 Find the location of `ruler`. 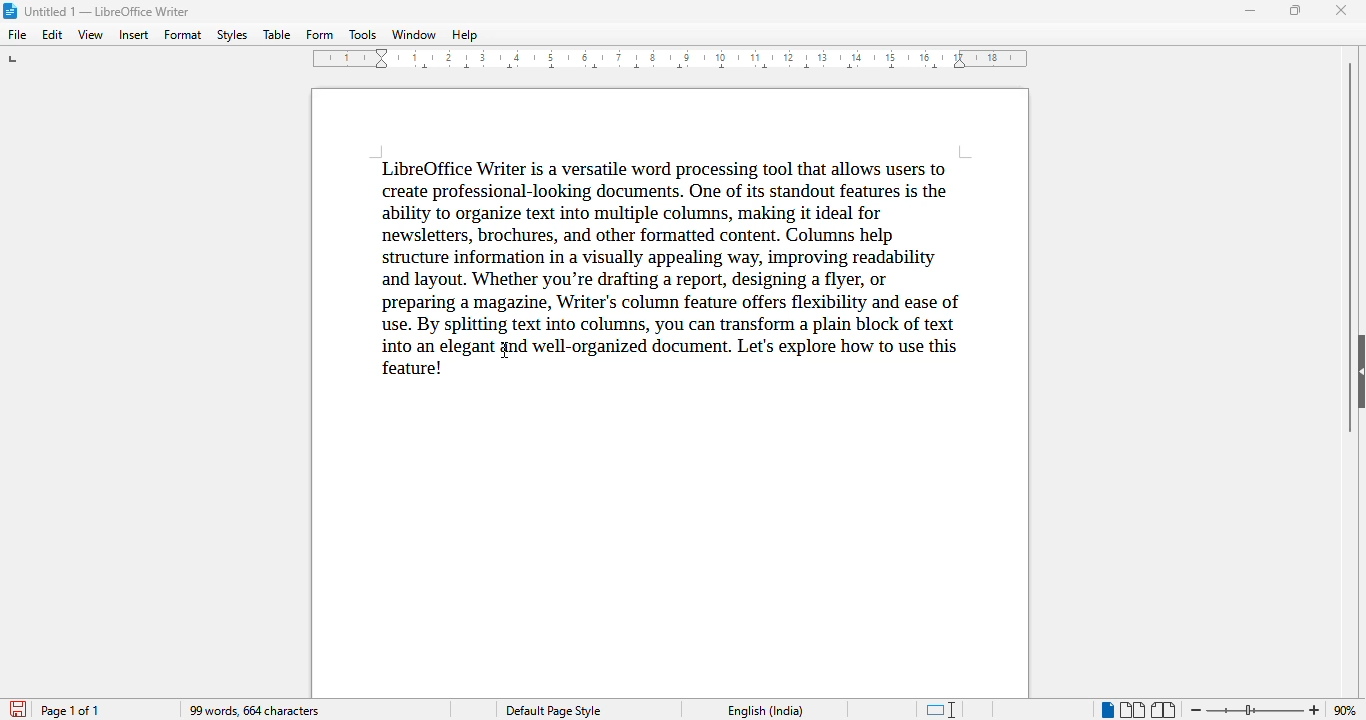

ruler is located at coordinates (670, 59).